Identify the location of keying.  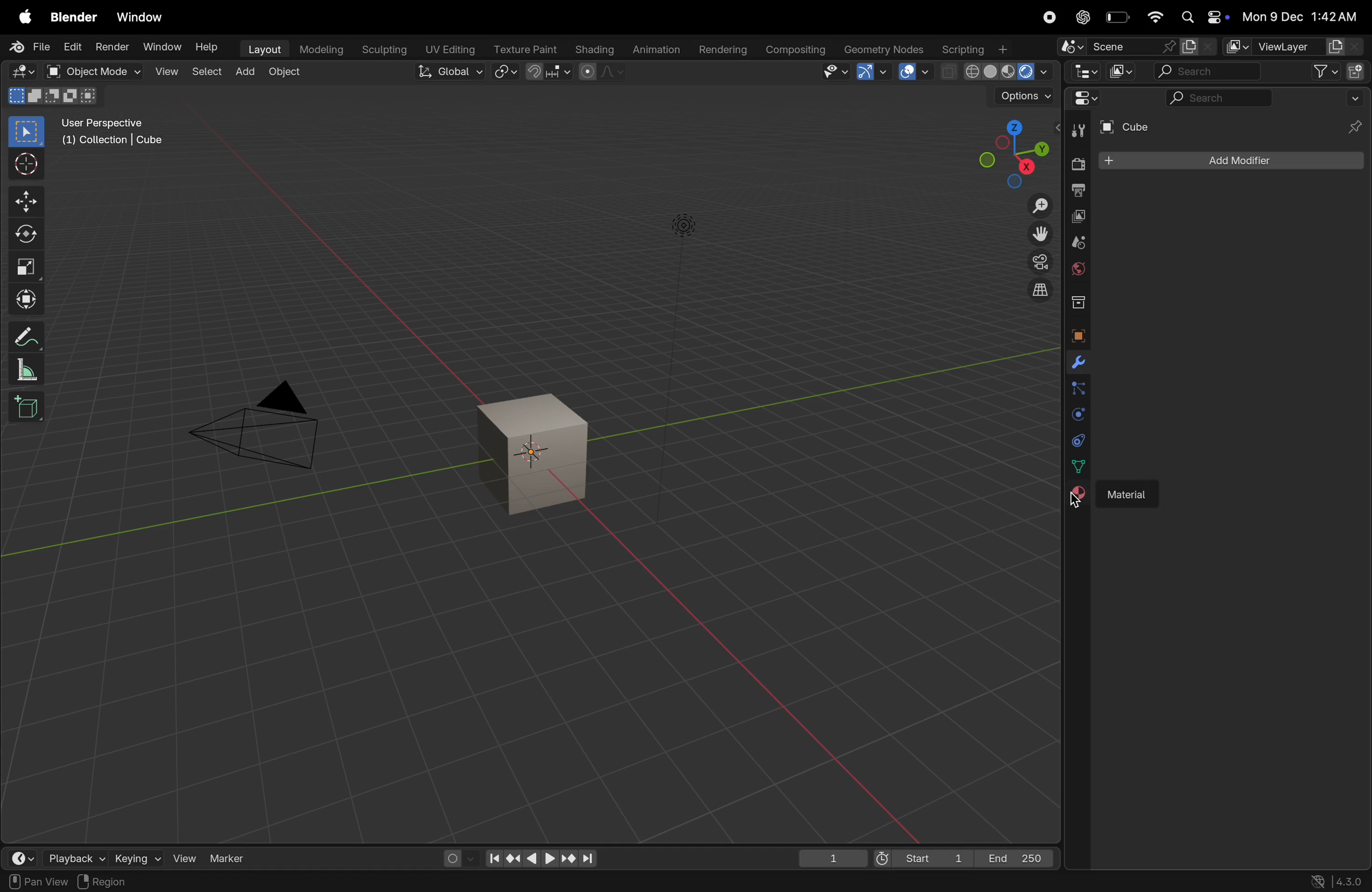
(124, 858).